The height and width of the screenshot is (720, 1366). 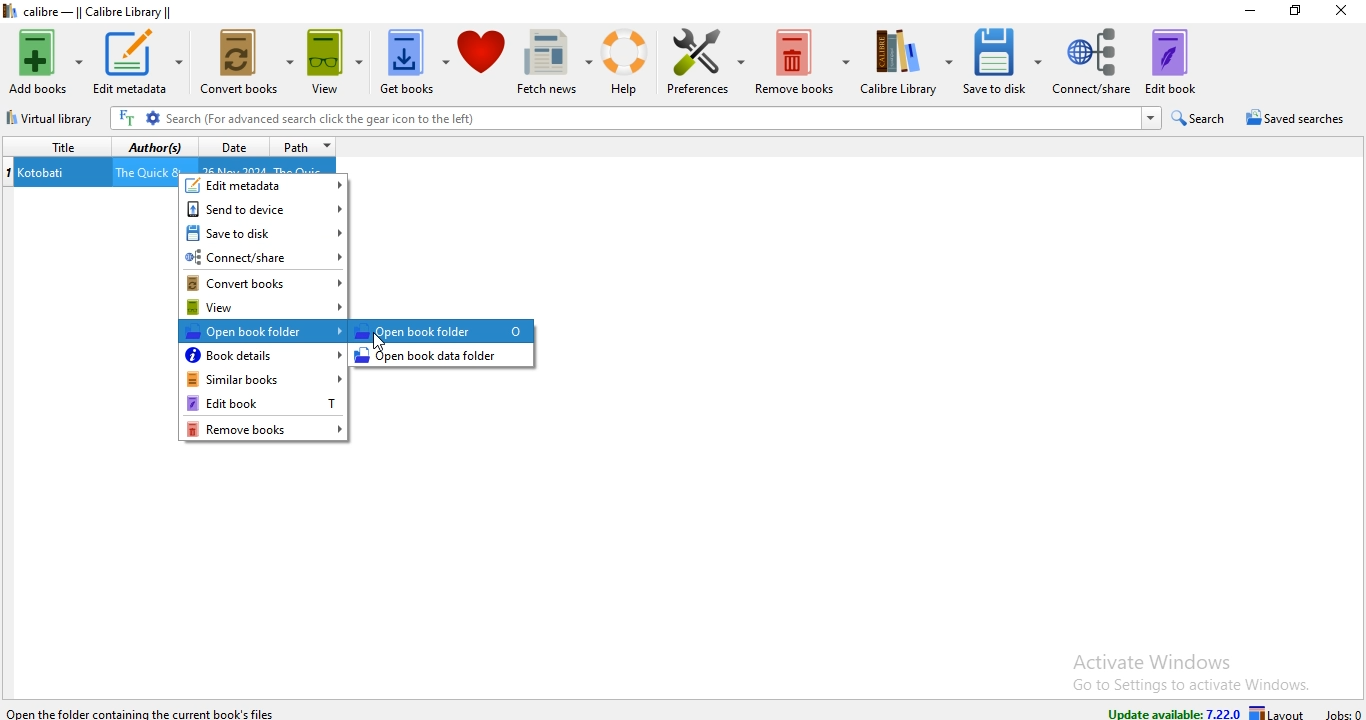 I want to click on update available: 7.22.0, so click(x=1172, y=710).